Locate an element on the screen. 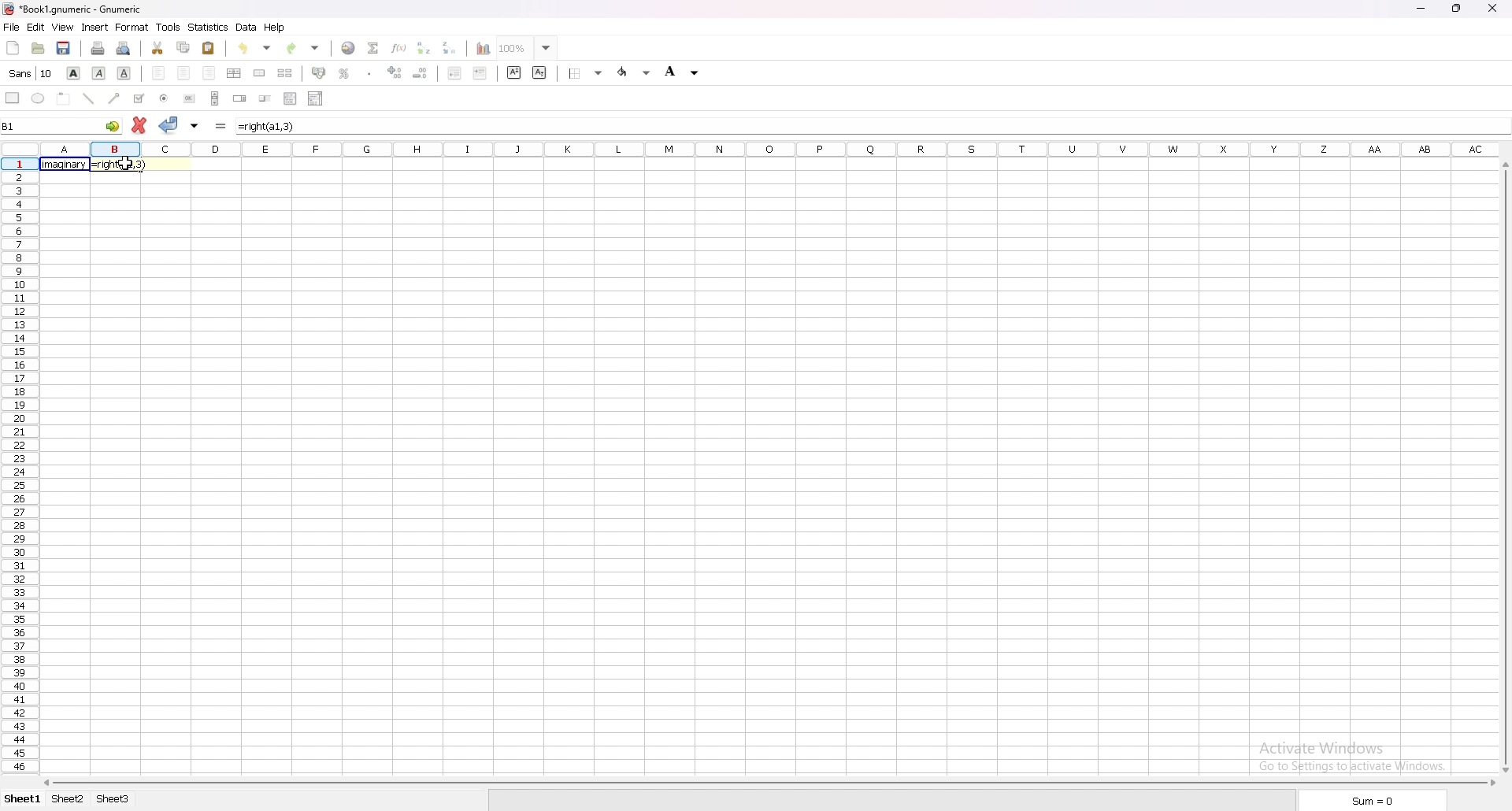 This screenshot has height=811, width=1512. formula is located at coordinates (272, 127).